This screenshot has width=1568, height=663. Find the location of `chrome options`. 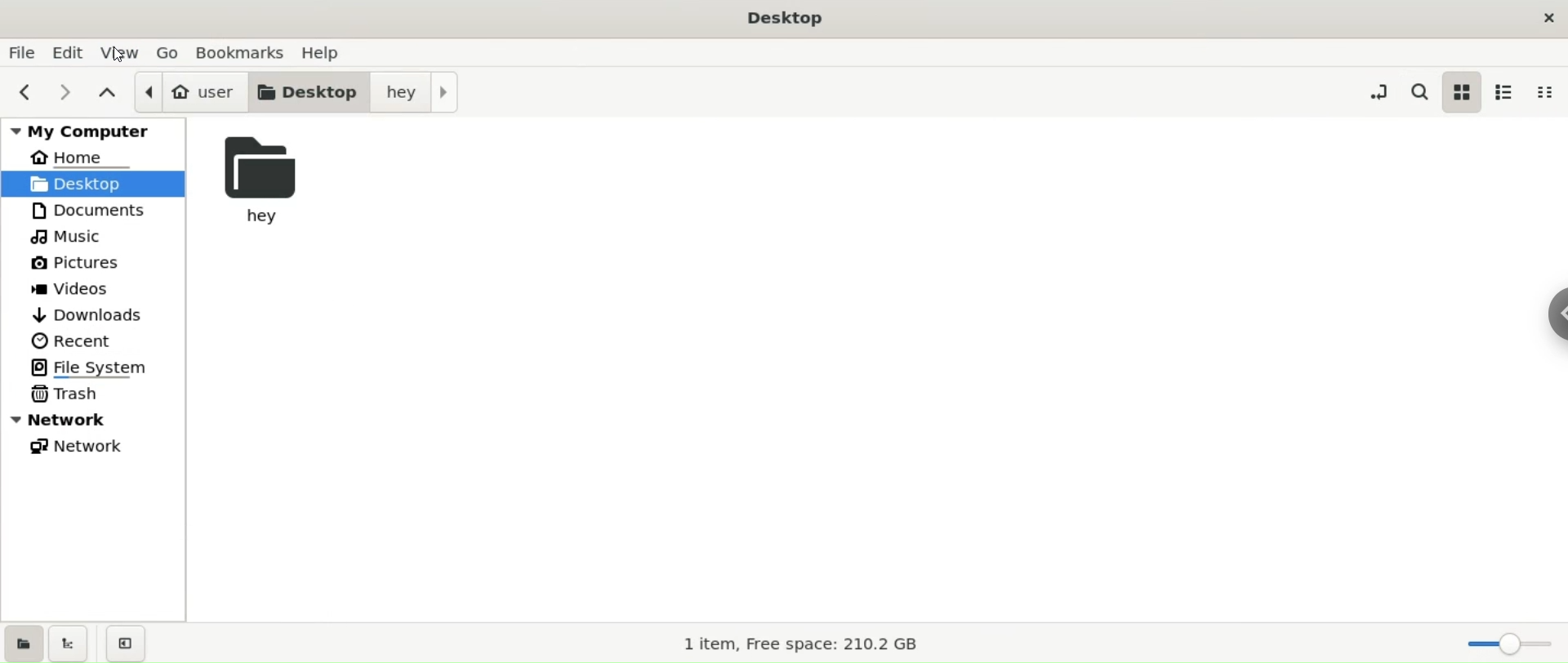

chrome options is located at coordinates (1548, 309).